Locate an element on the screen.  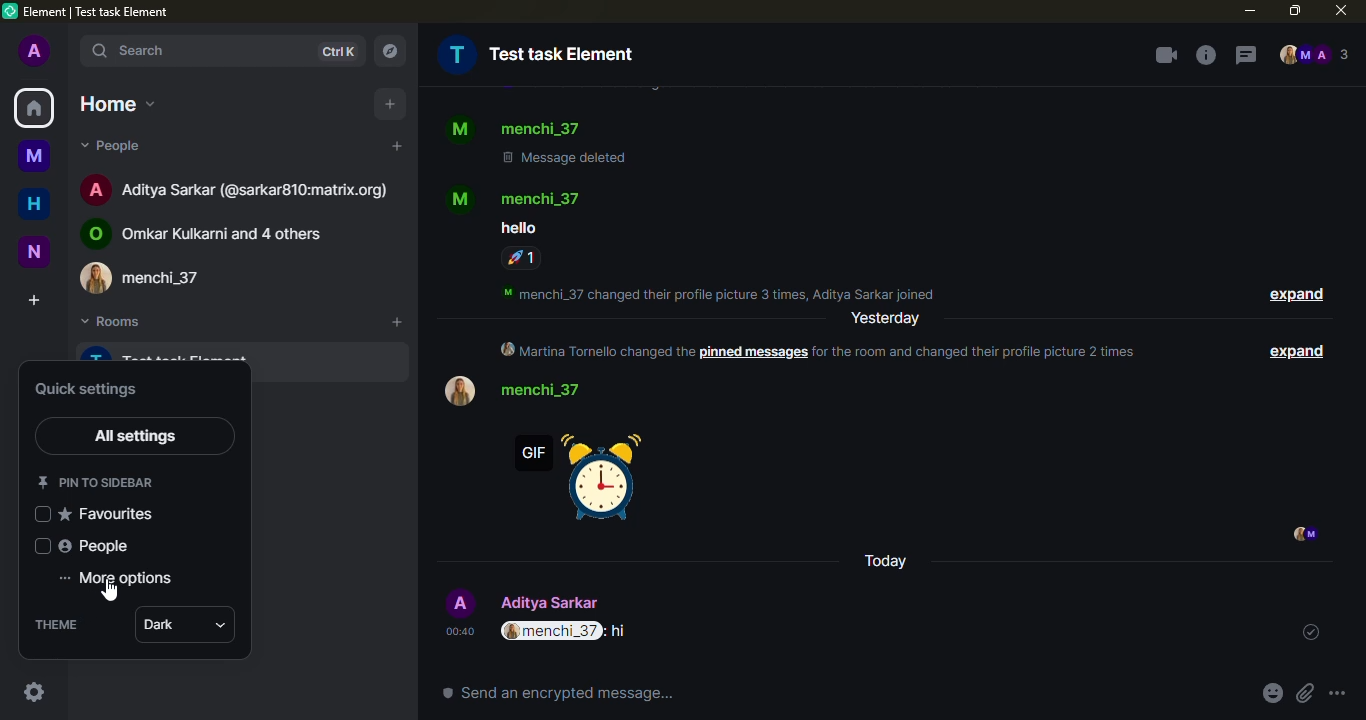
today is located at coordinates (887, 562).